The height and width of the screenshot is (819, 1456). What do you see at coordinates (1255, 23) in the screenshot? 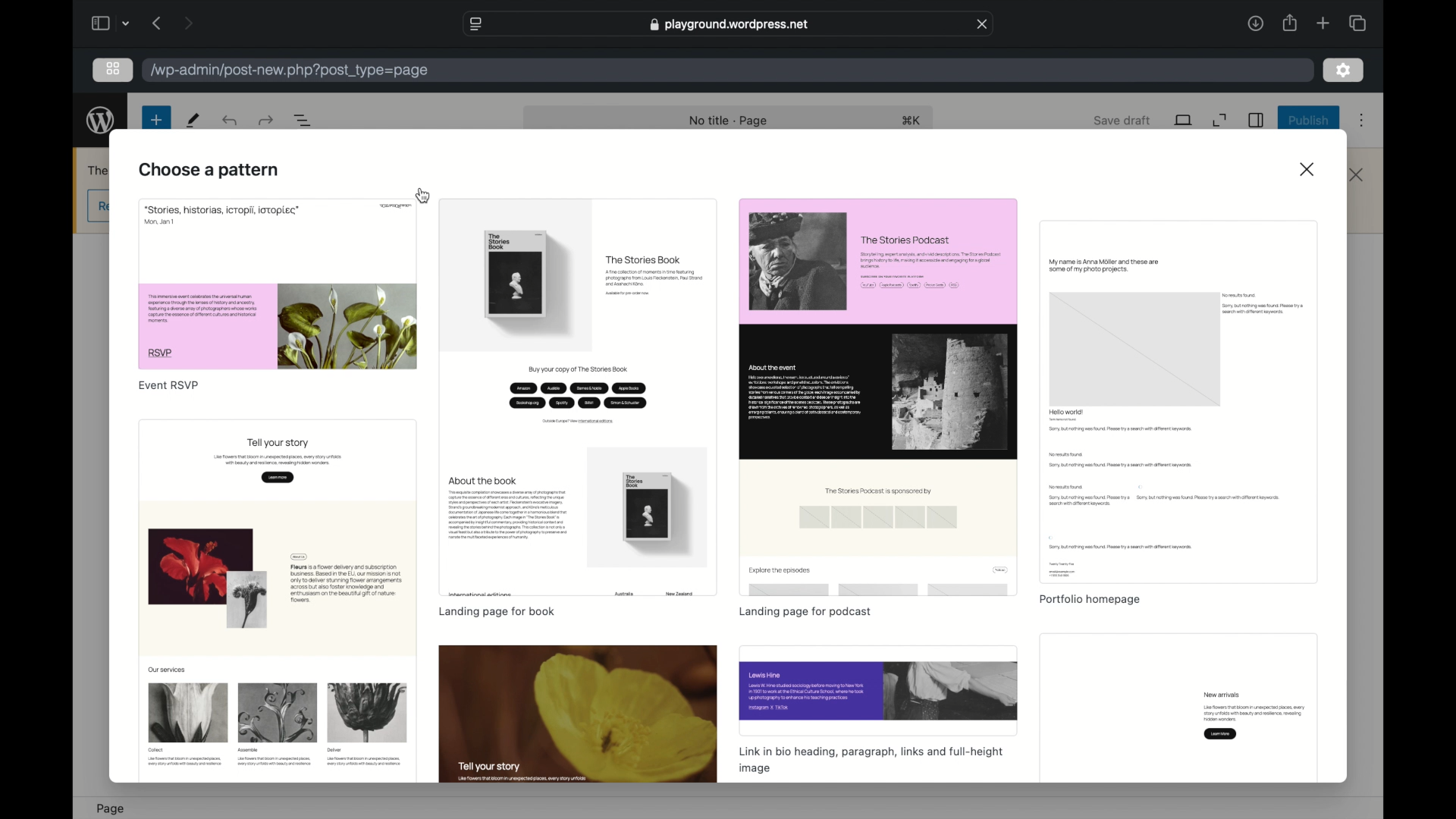
I see `downloads` at bounding box center [1255, 23].